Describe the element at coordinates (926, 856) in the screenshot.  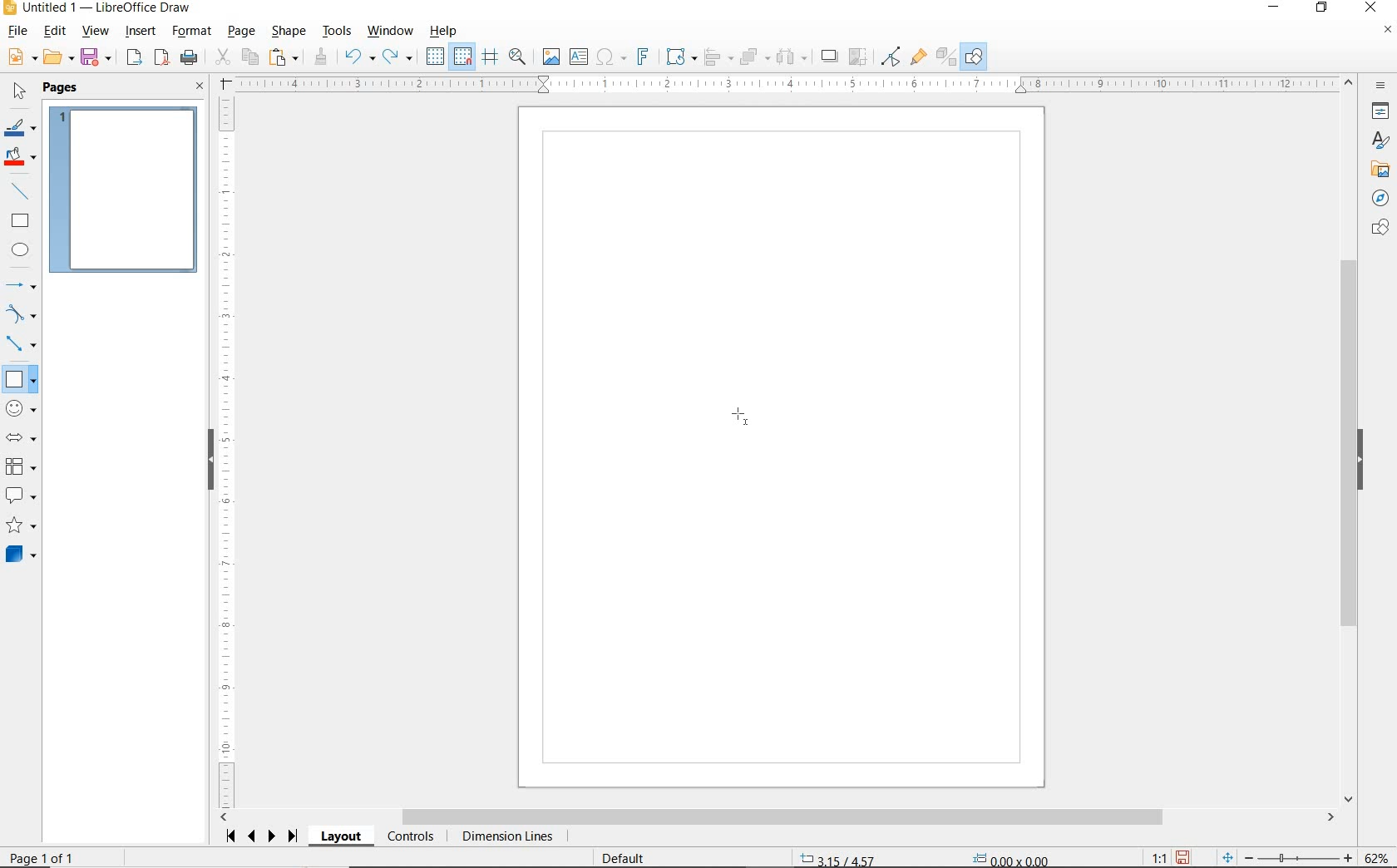
I see `STANDARD SELECTION` at that location.